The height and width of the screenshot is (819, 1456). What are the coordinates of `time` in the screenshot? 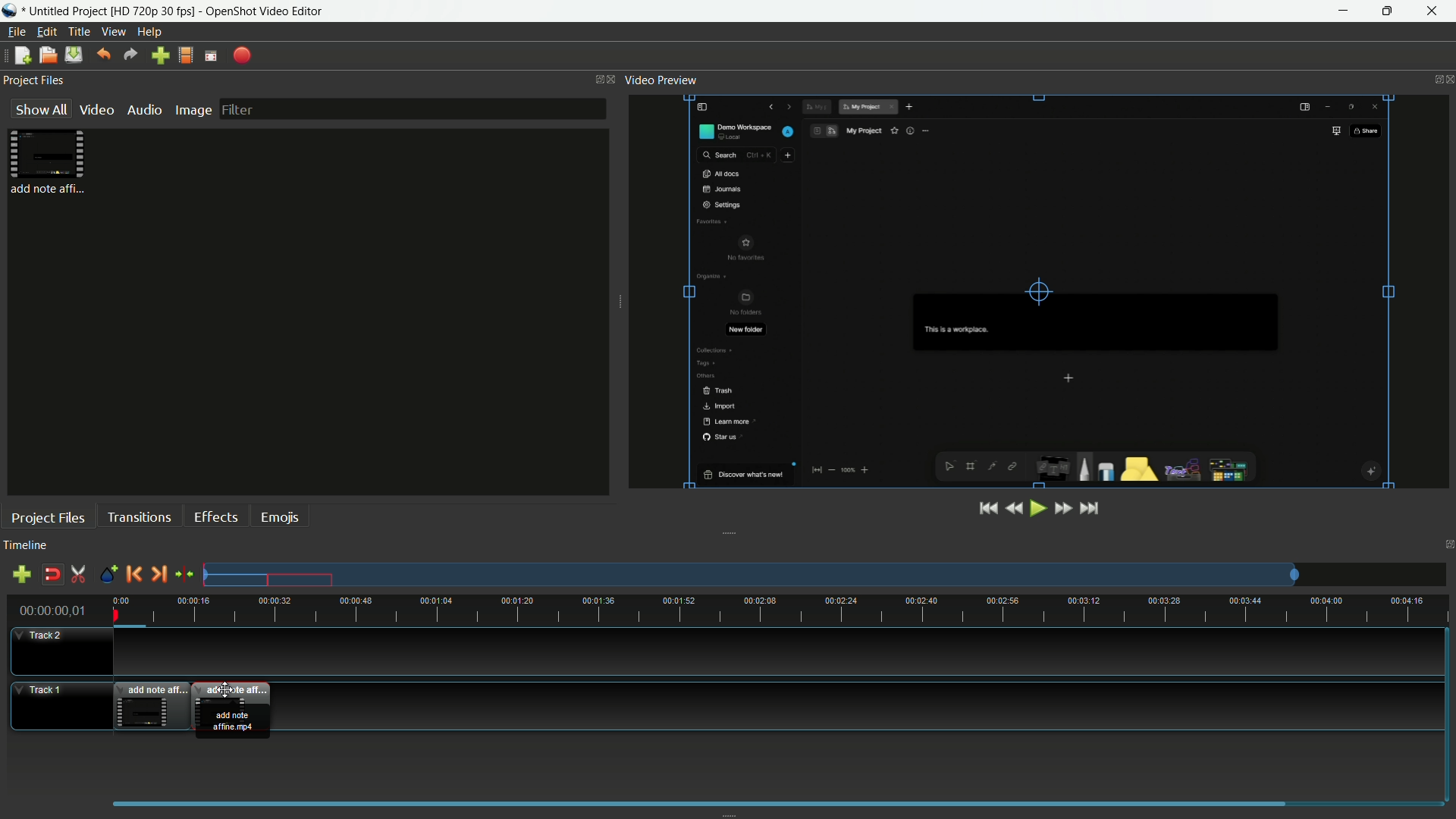 It's located at (785, 610).